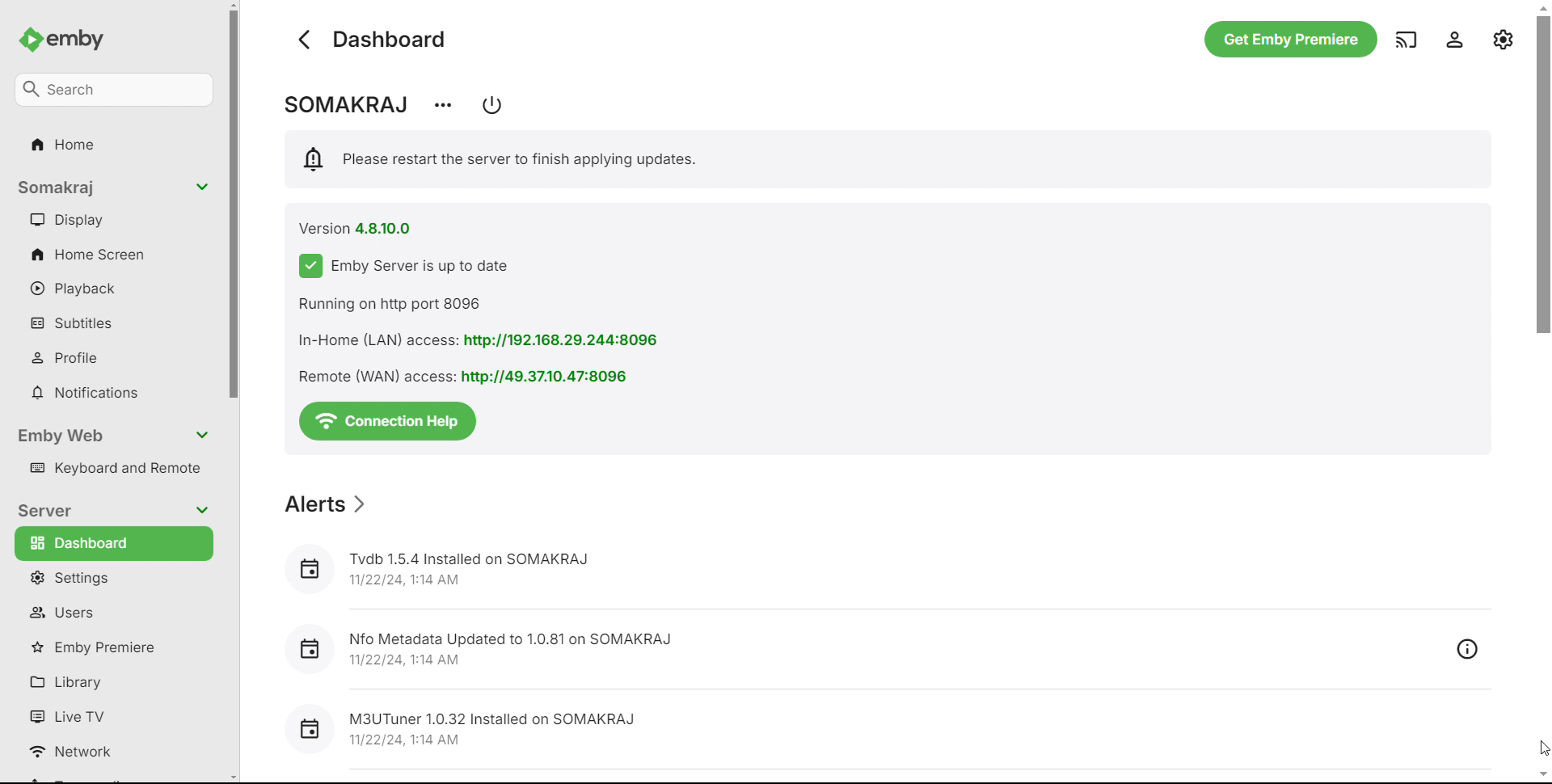  Describe the element at coordinates (344, 105) in the screenshot. I see `SOMAKRAJ` at that location.